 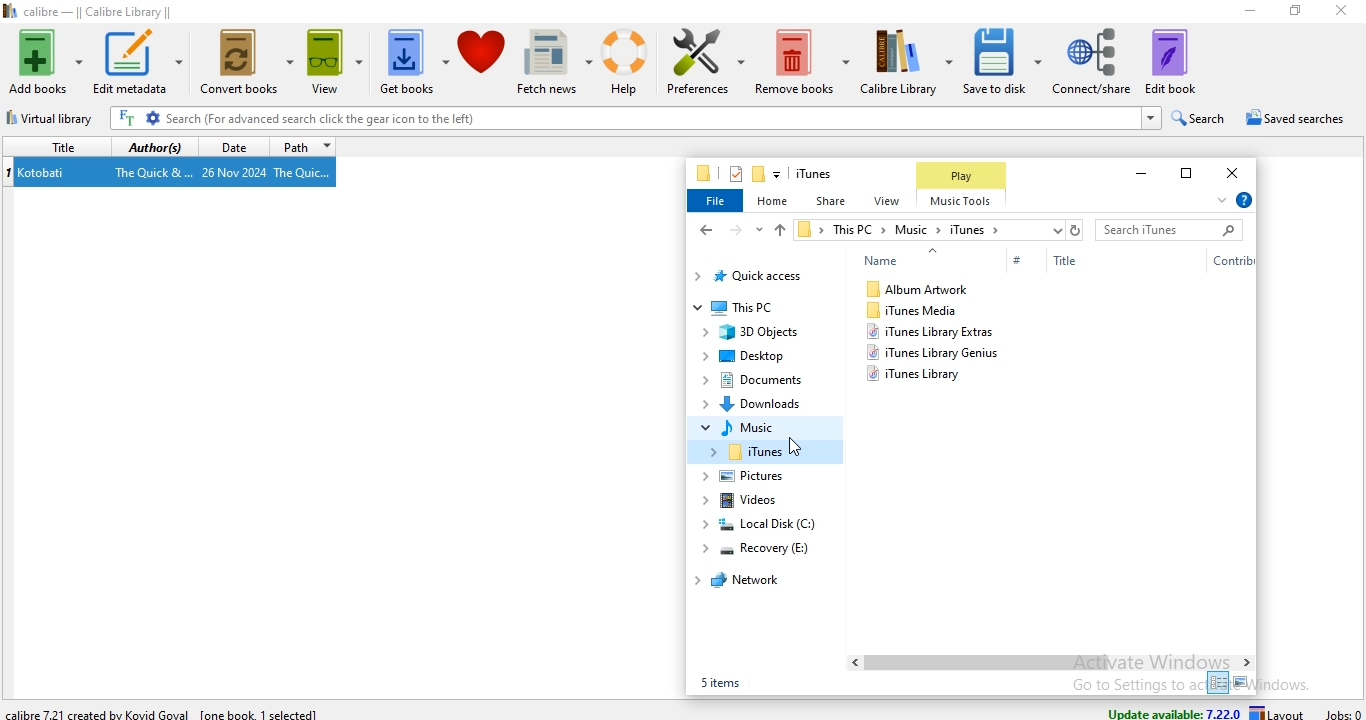 What do you see at coordinates (748, 581) in the screenshot?
I see `network` at bounding box center [748, 581].